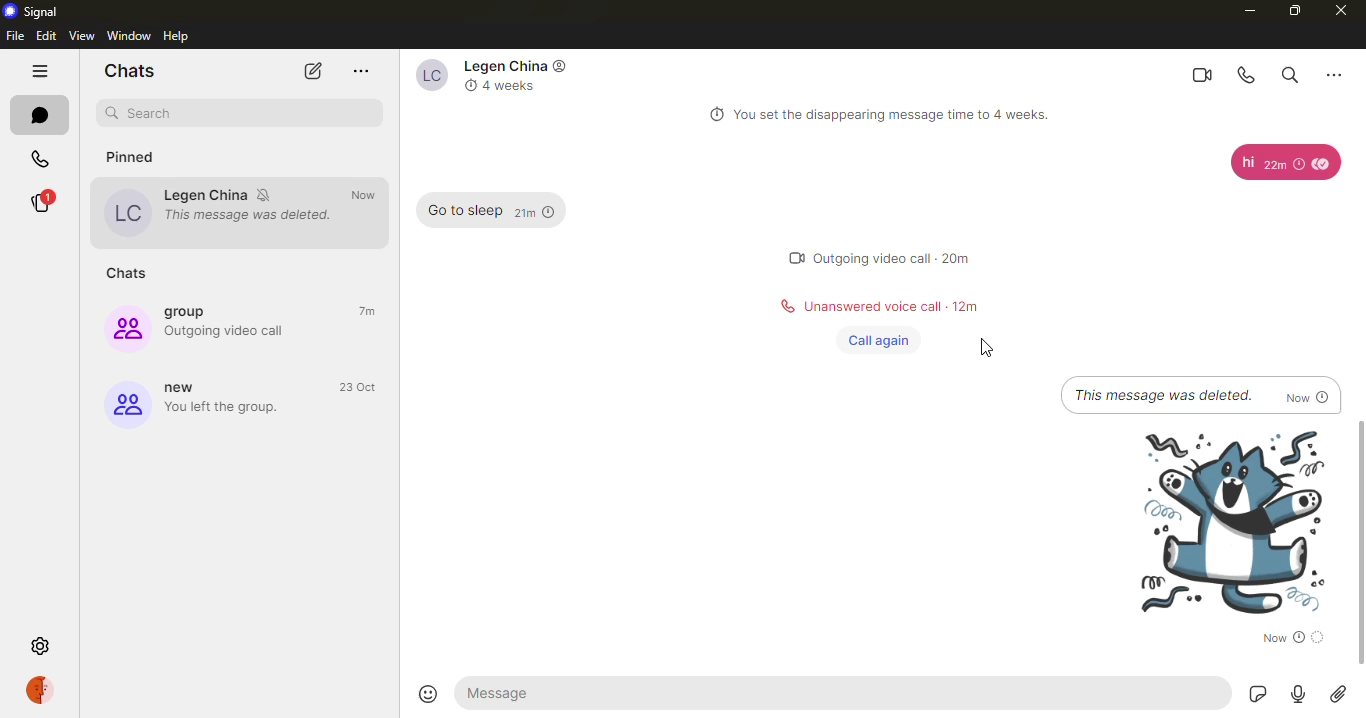 This screenshot has height=718, width=1366. What do you see at coordinates (524, 214) in the screenshot?
I see `21m` at bounding box center [524, 214].